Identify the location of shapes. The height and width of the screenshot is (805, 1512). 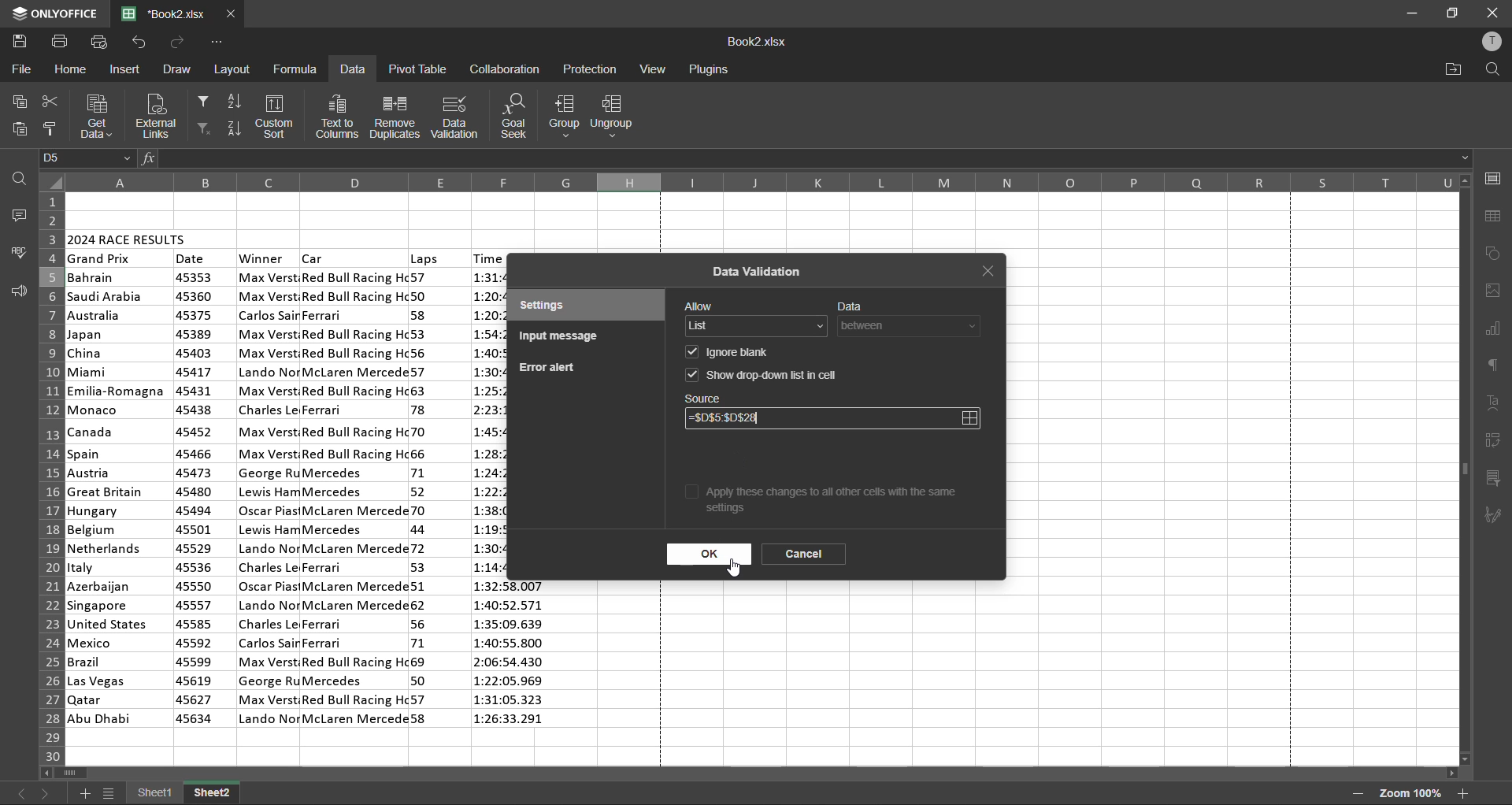
(1494, 254).